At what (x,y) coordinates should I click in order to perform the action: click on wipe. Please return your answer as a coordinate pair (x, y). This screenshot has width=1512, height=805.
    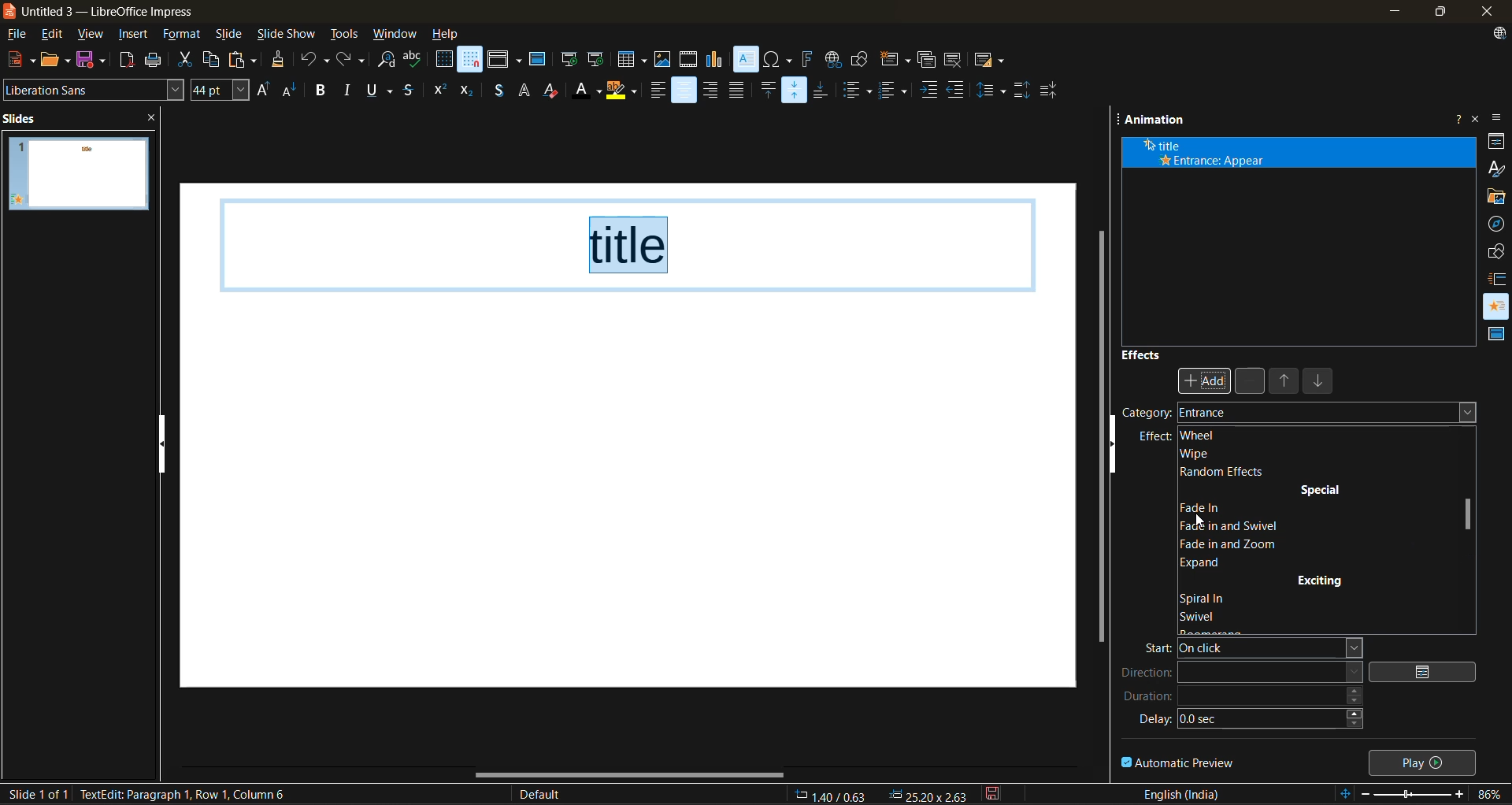
    Looking at the image, I should click on (1198, 454).